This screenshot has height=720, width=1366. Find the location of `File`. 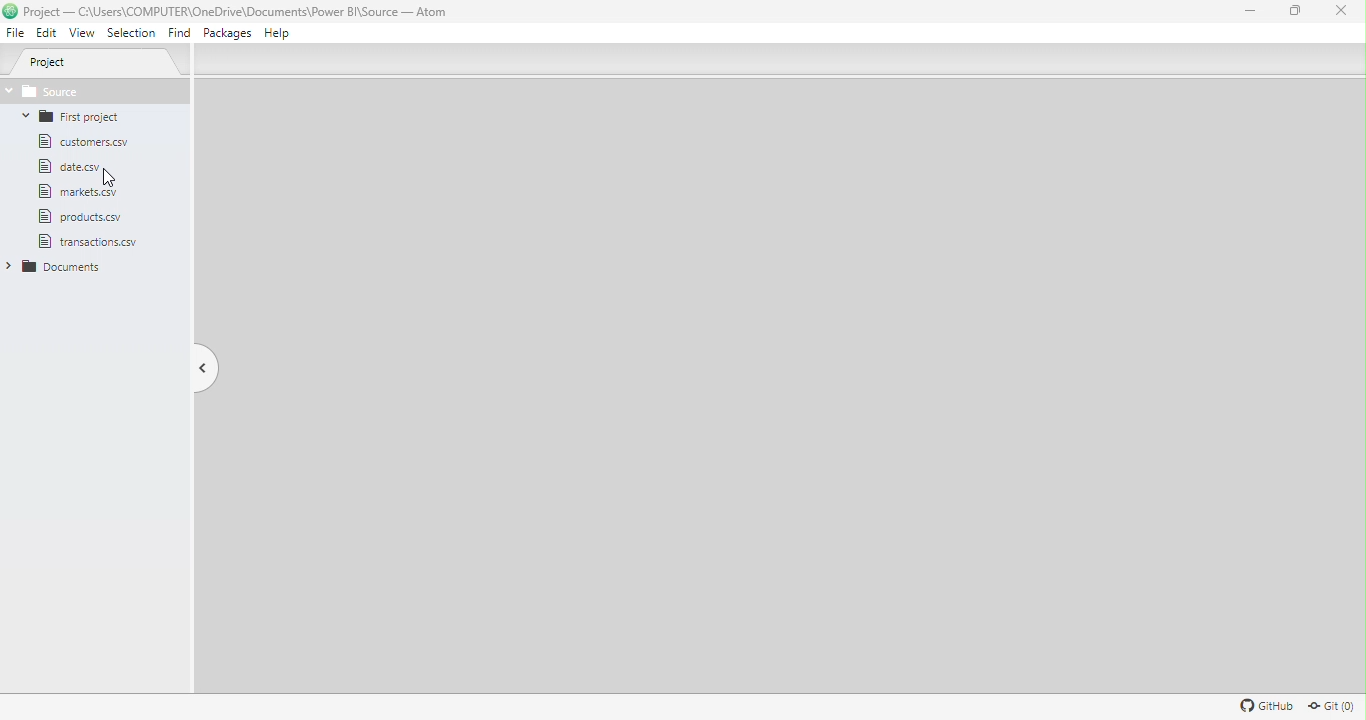

File is located at coordinates (66, 167).